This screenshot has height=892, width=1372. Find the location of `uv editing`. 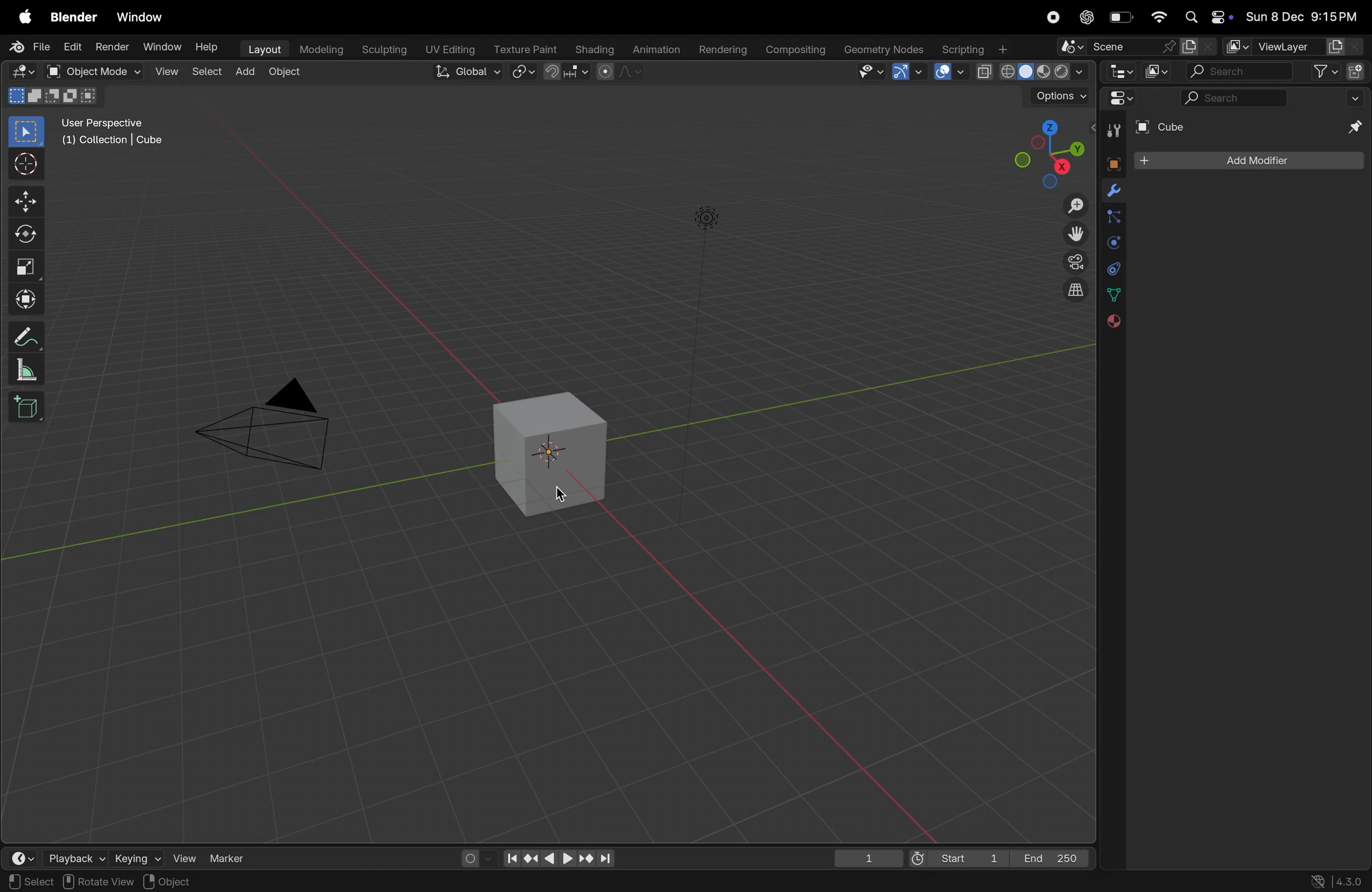

uv editing is located at coordinates (452, 48).